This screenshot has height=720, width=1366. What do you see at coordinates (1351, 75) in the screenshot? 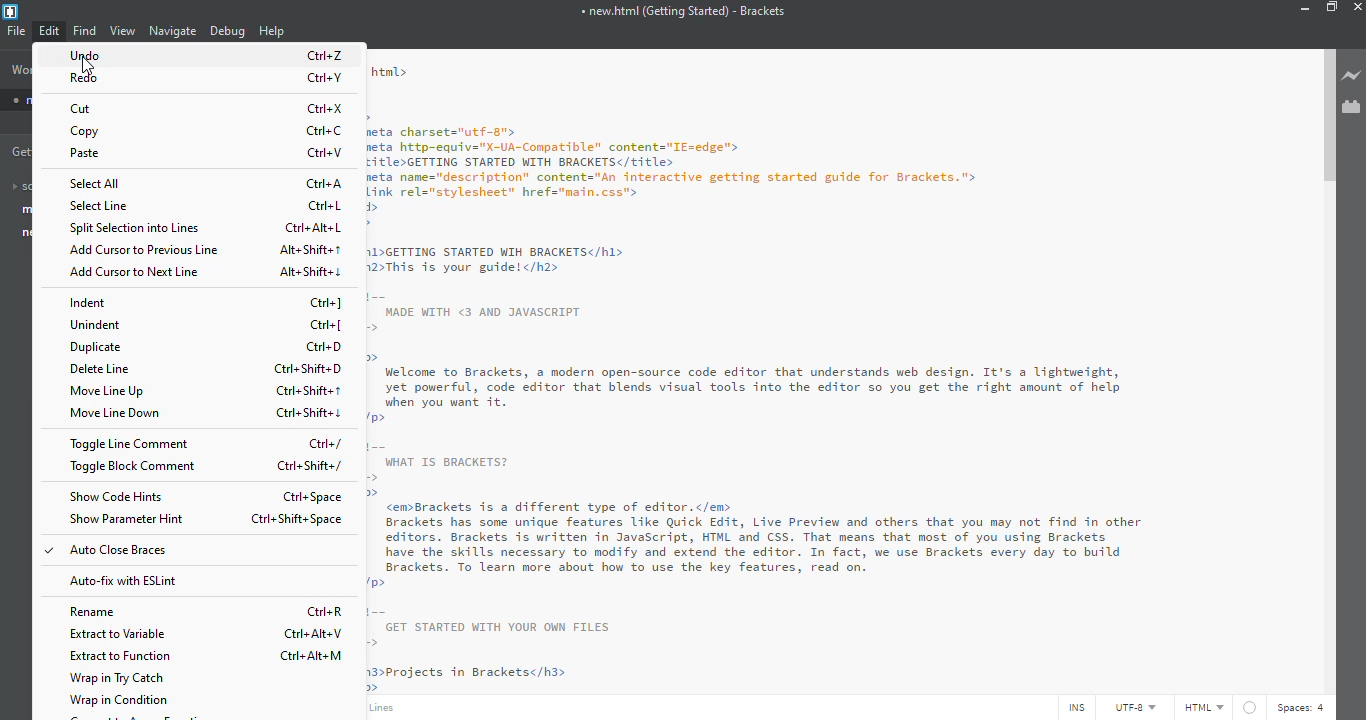
I see `live preview` at bounding box center [1351, 75].